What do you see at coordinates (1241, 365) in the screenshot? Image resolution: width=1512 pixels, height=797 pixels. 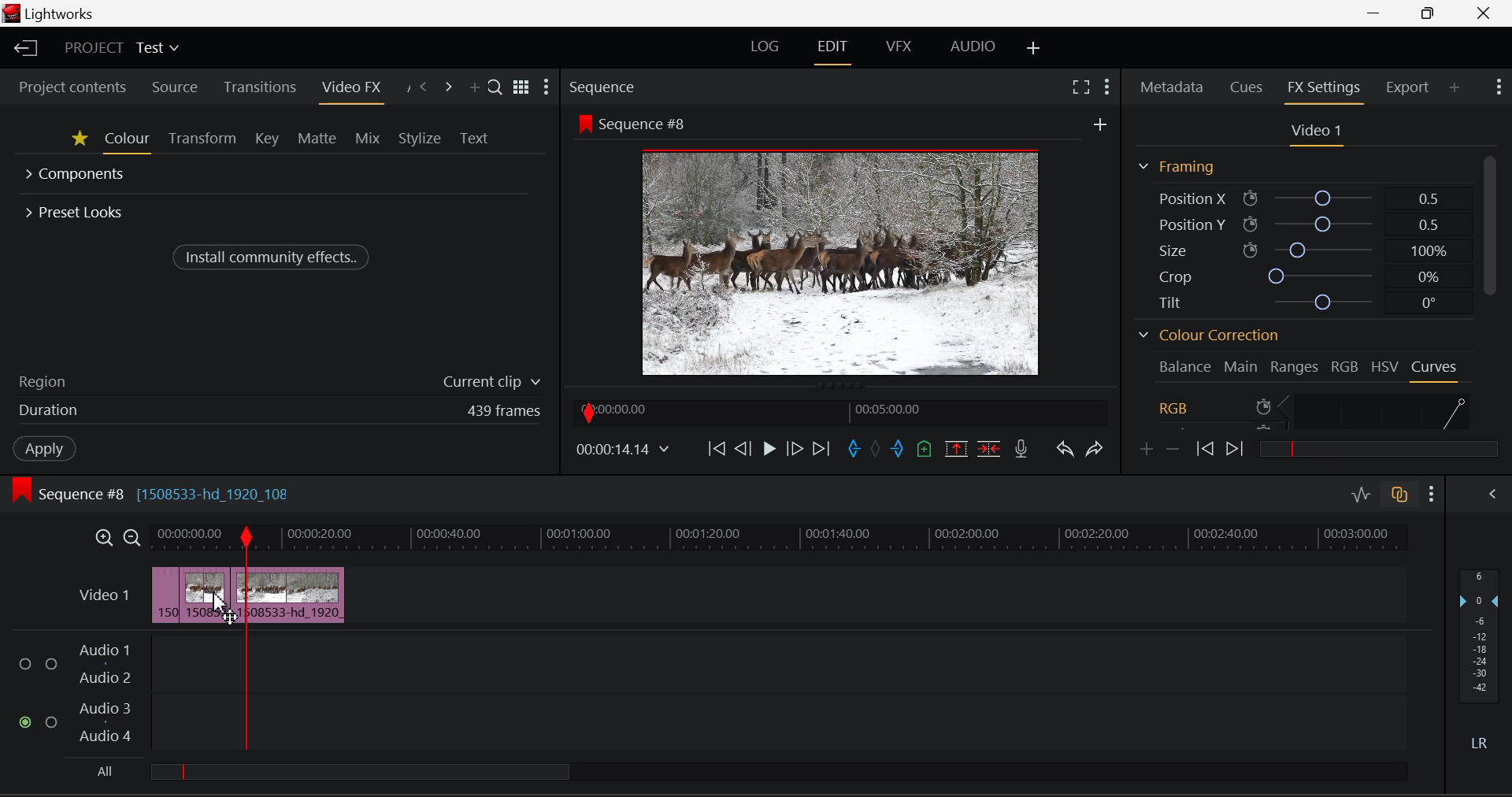 I see `Main` at bounding box center [1241, 365].